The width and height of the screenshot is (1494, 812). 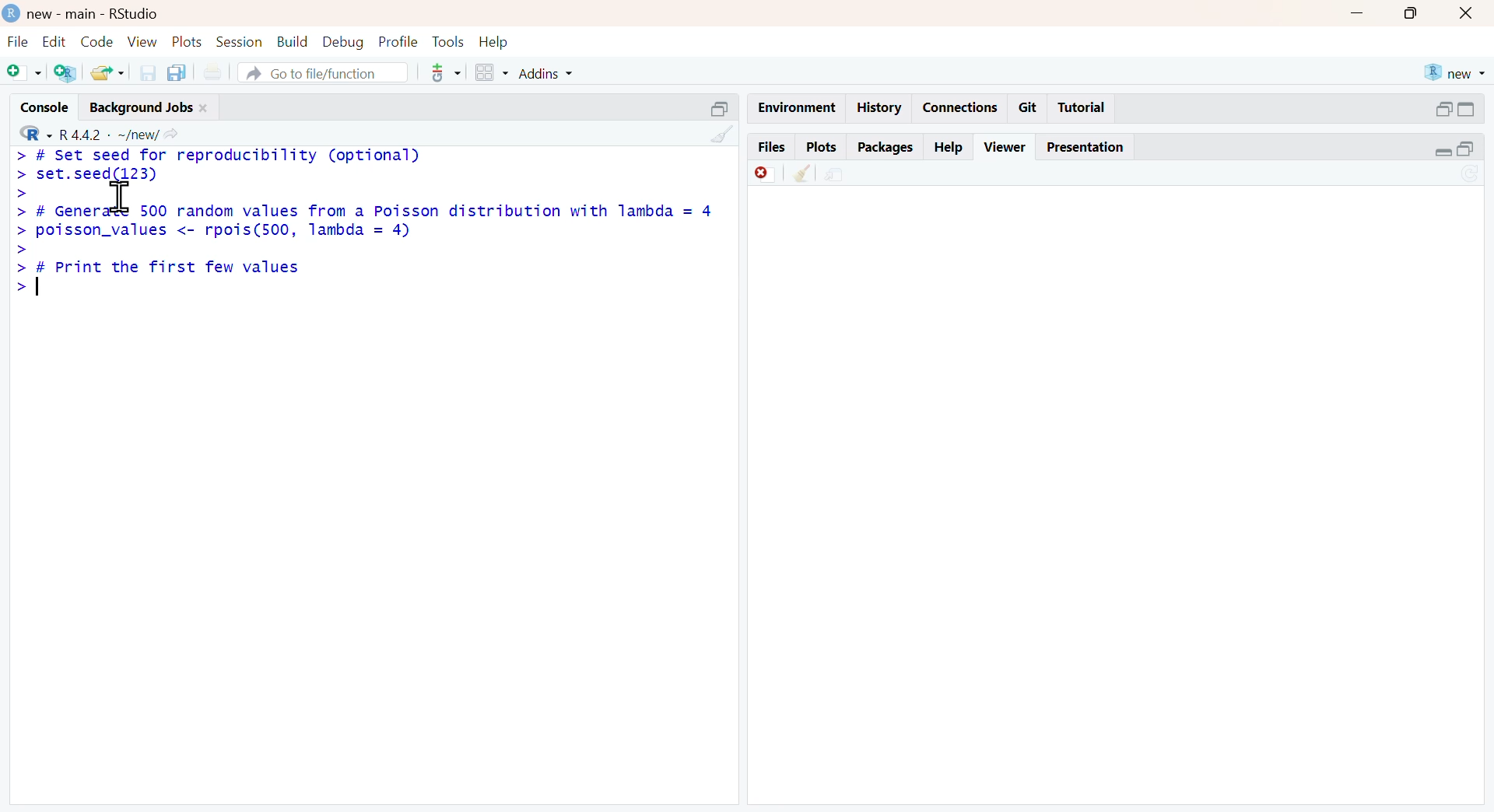 What do you see at coordinates (767, 174) in the screenshot?
I see `discard` at bounding box center [767, 174].